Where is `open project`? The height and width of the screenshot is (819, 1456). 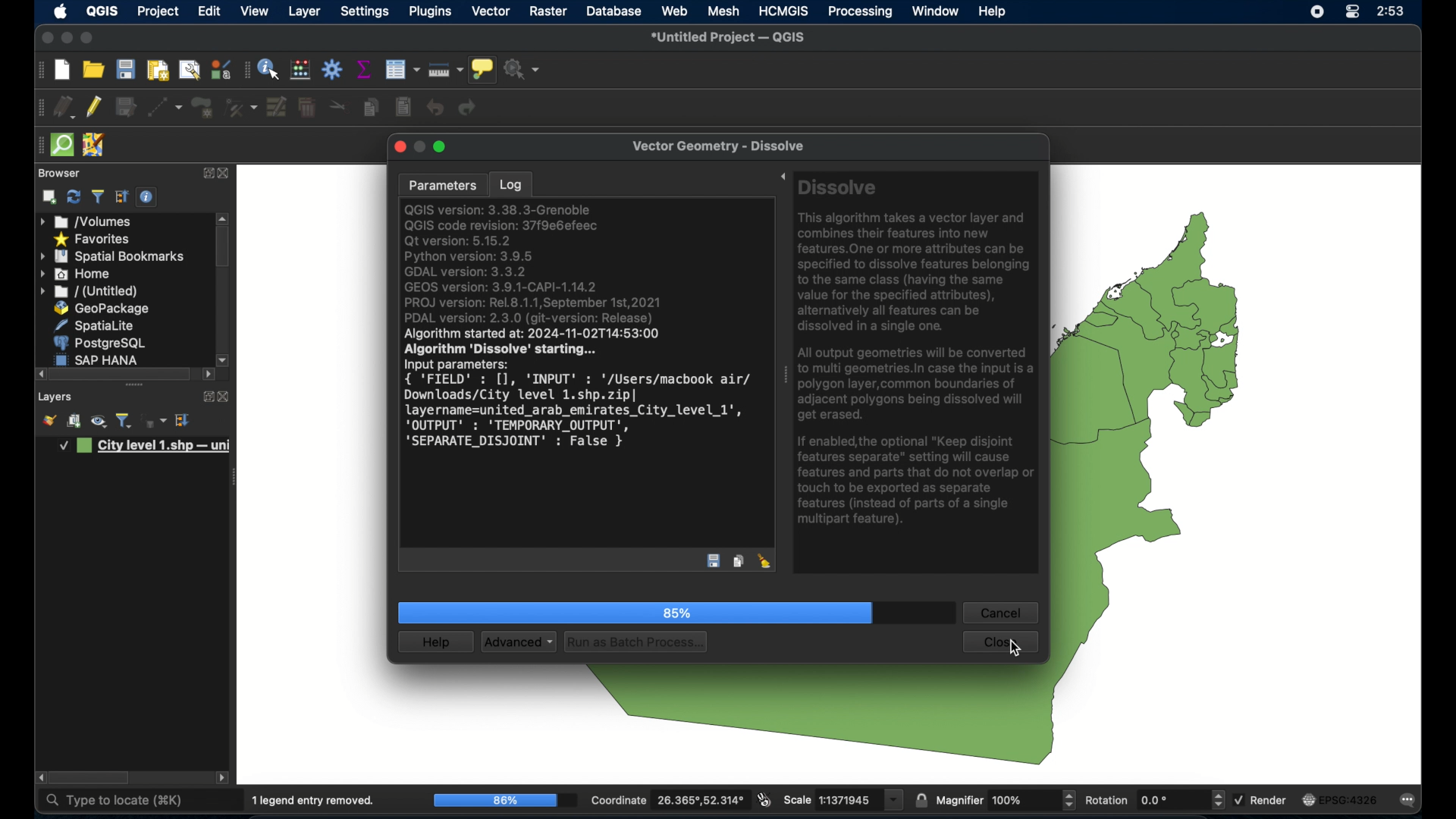 open project is located at coordinates (93, 69).